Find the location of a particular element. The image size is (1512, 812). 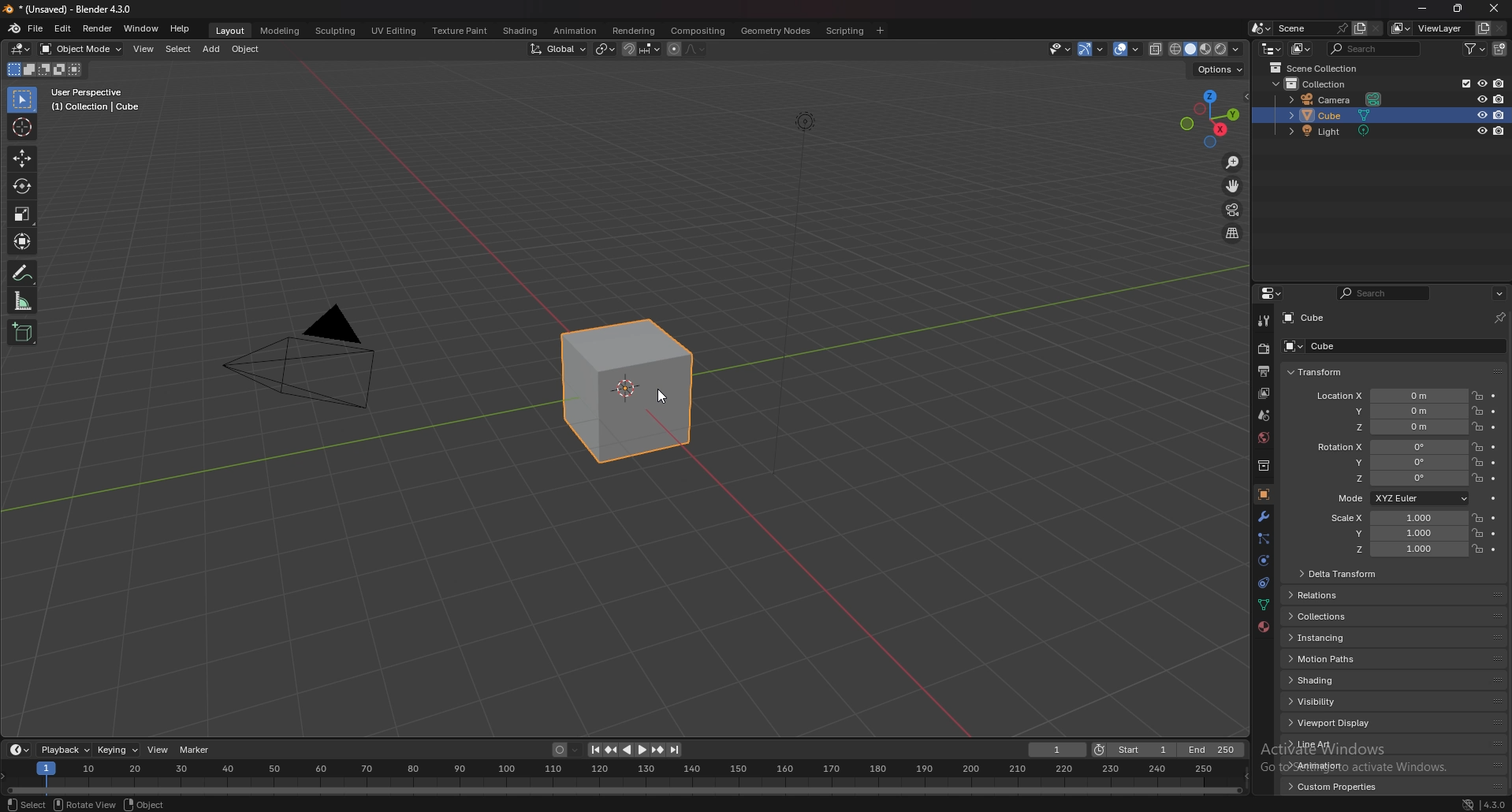

disable in renders is located at coordinates (1499, 84).